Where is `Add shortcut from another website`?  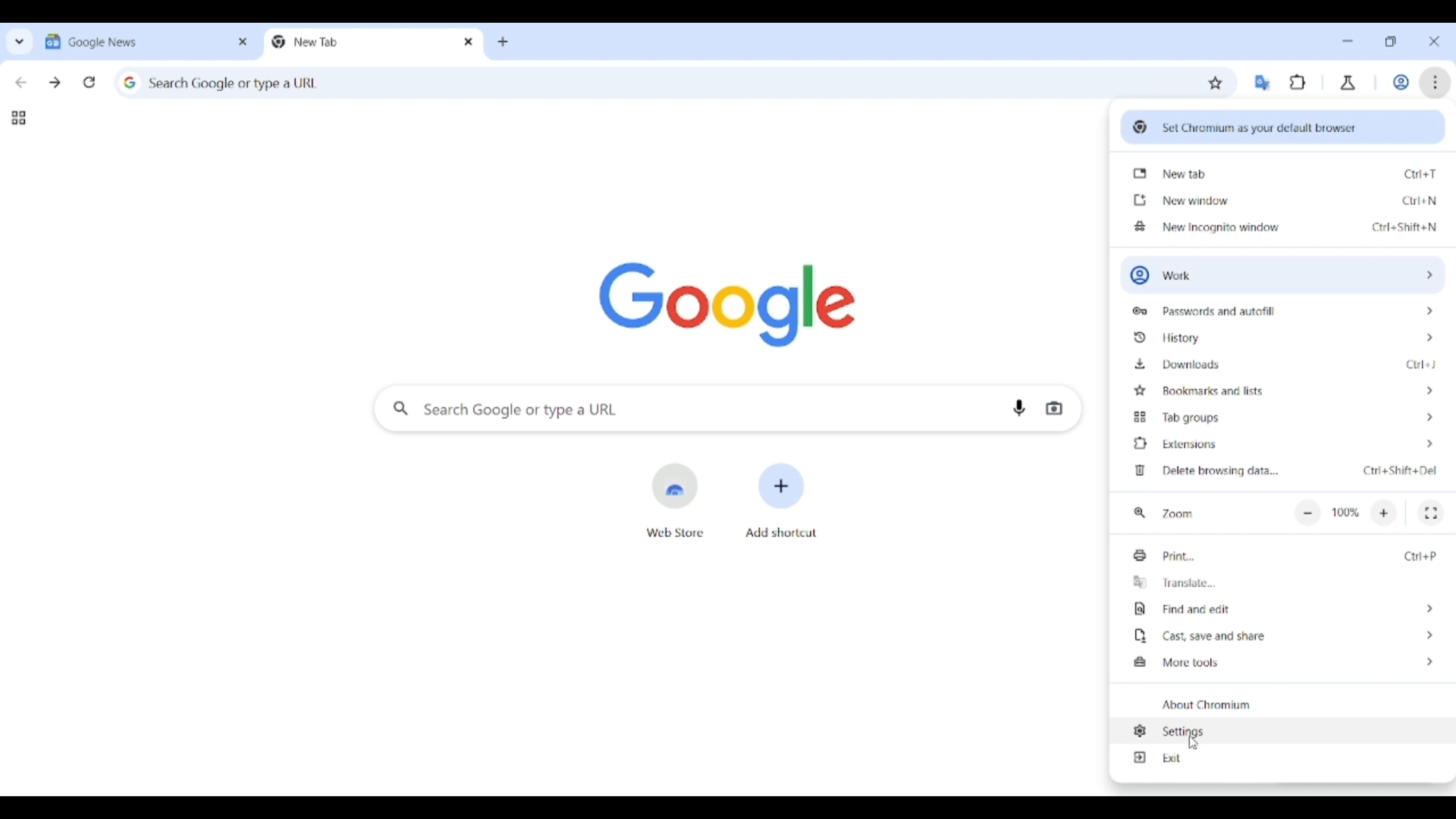
Add shortcut from another website is located at coordinates (780, 500).